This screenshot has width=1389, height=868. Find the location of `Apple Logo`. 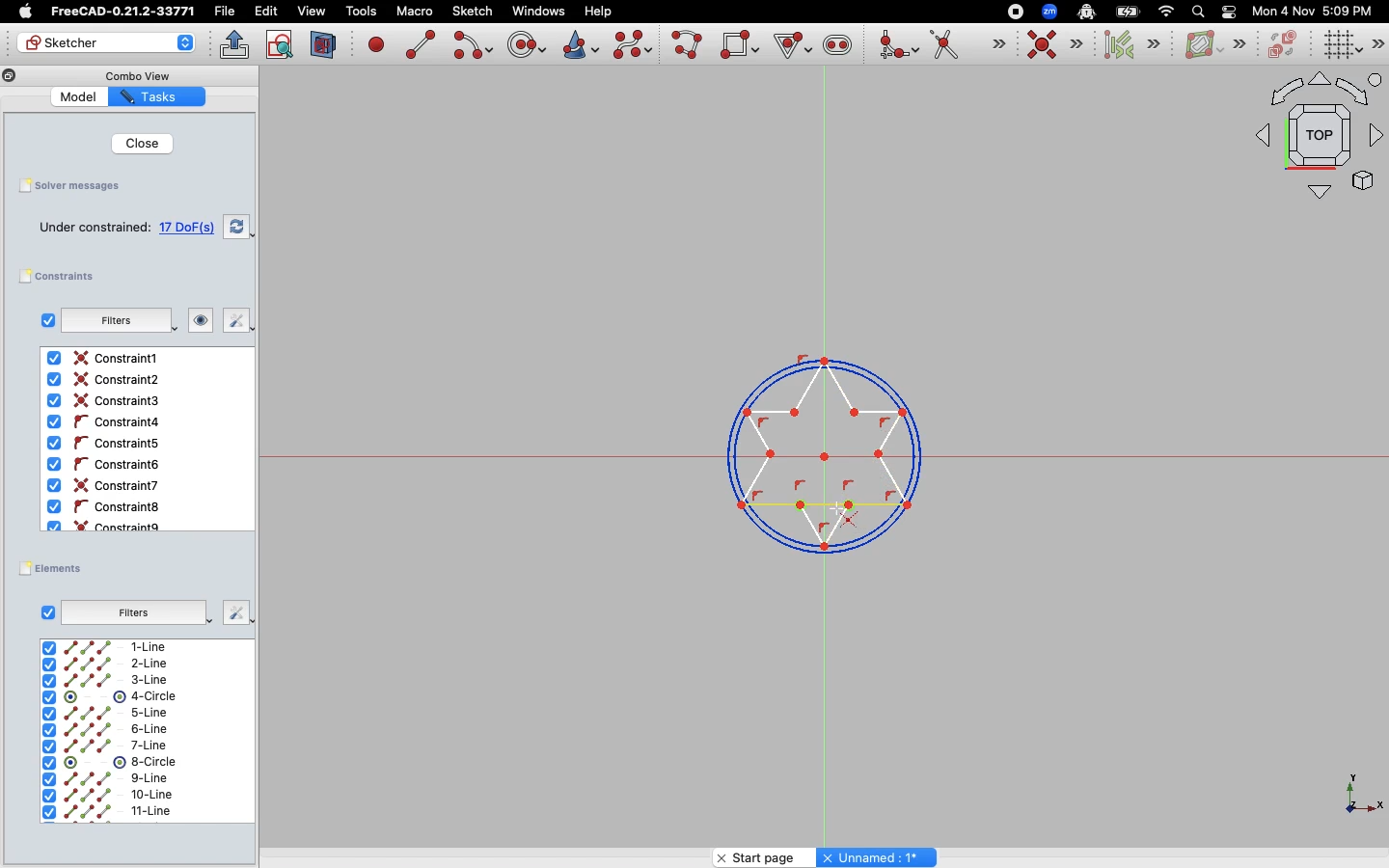

Apple Logo is located at coordinates (23, 12).